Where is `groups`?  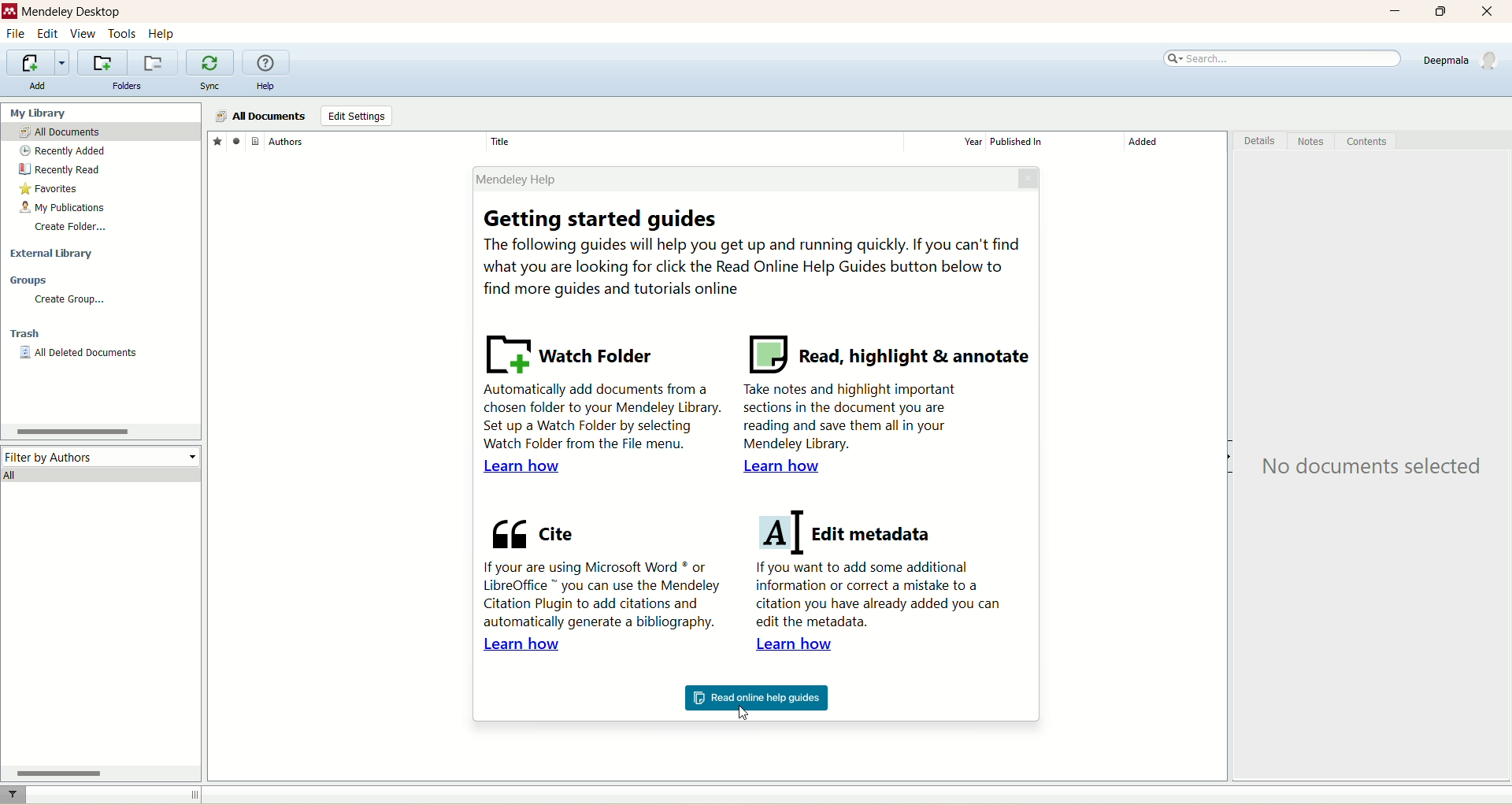
groups is located at coordinates (30, 281).